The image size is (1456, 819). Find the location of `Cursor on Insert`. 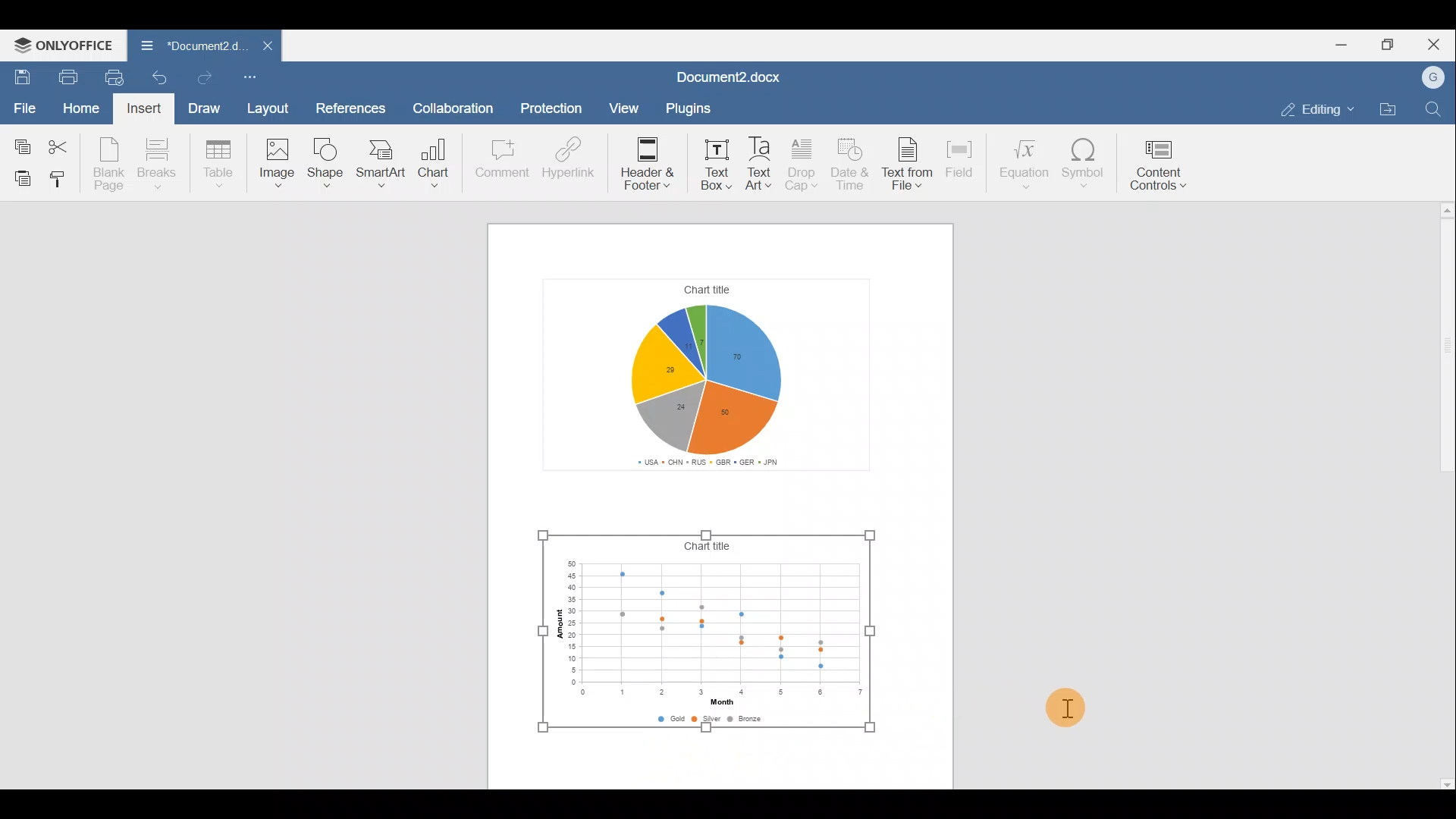

Cursor on Insert is located at coordinates (142, 109).